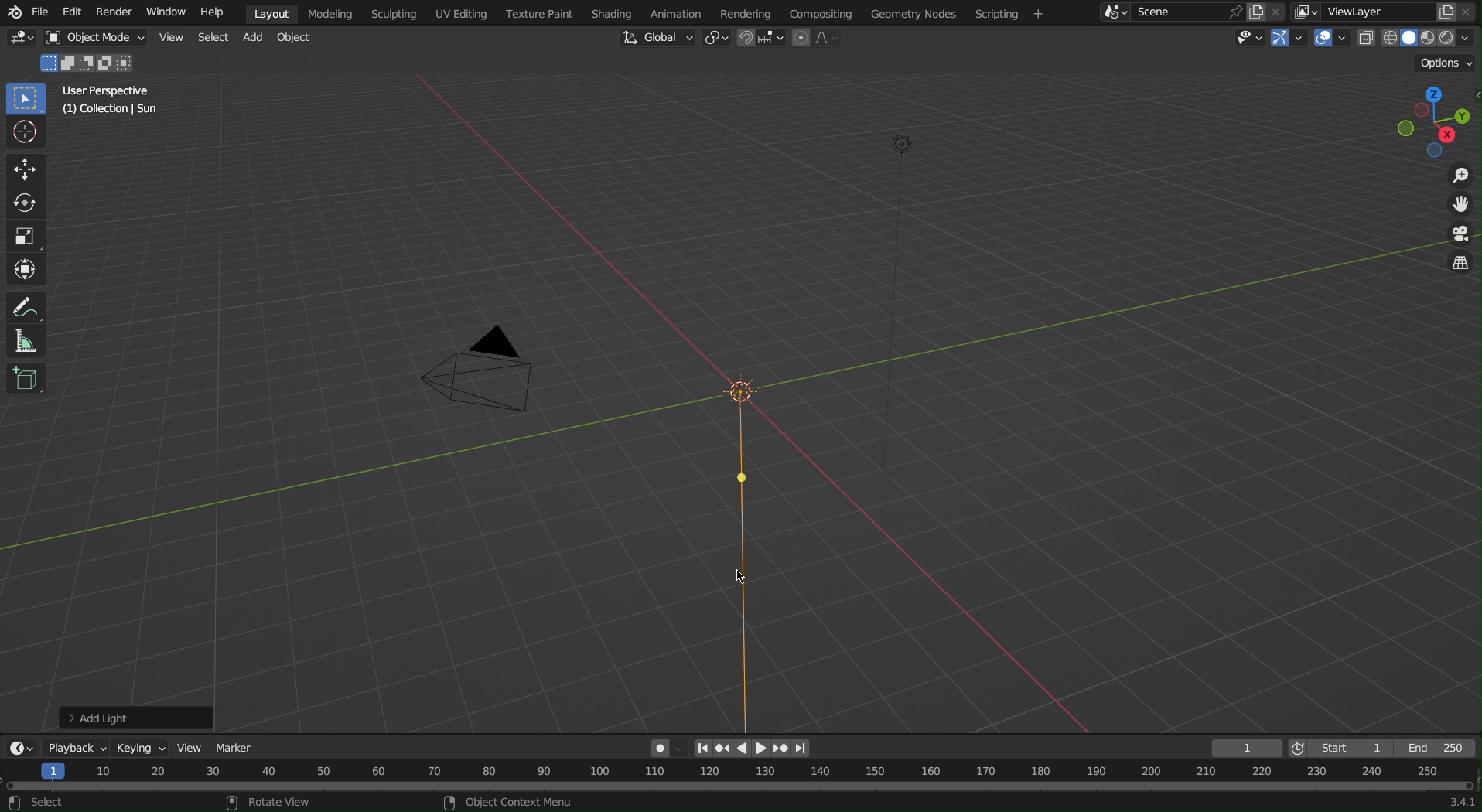  Describe the element at coordinates (145, 745) in the screenshot. I see `Keying` at that location.